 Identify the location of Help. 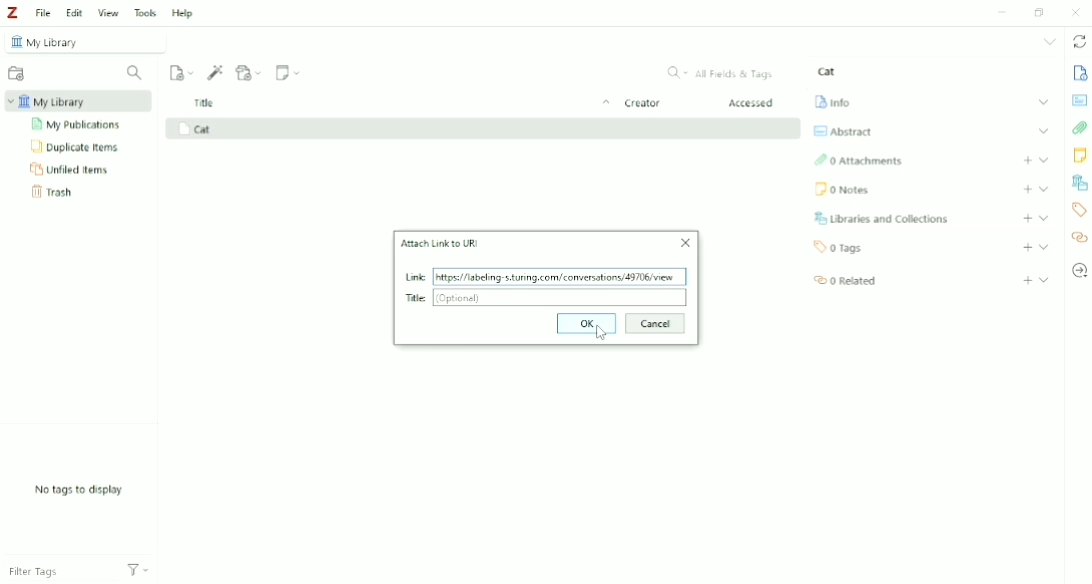
(182, 14).